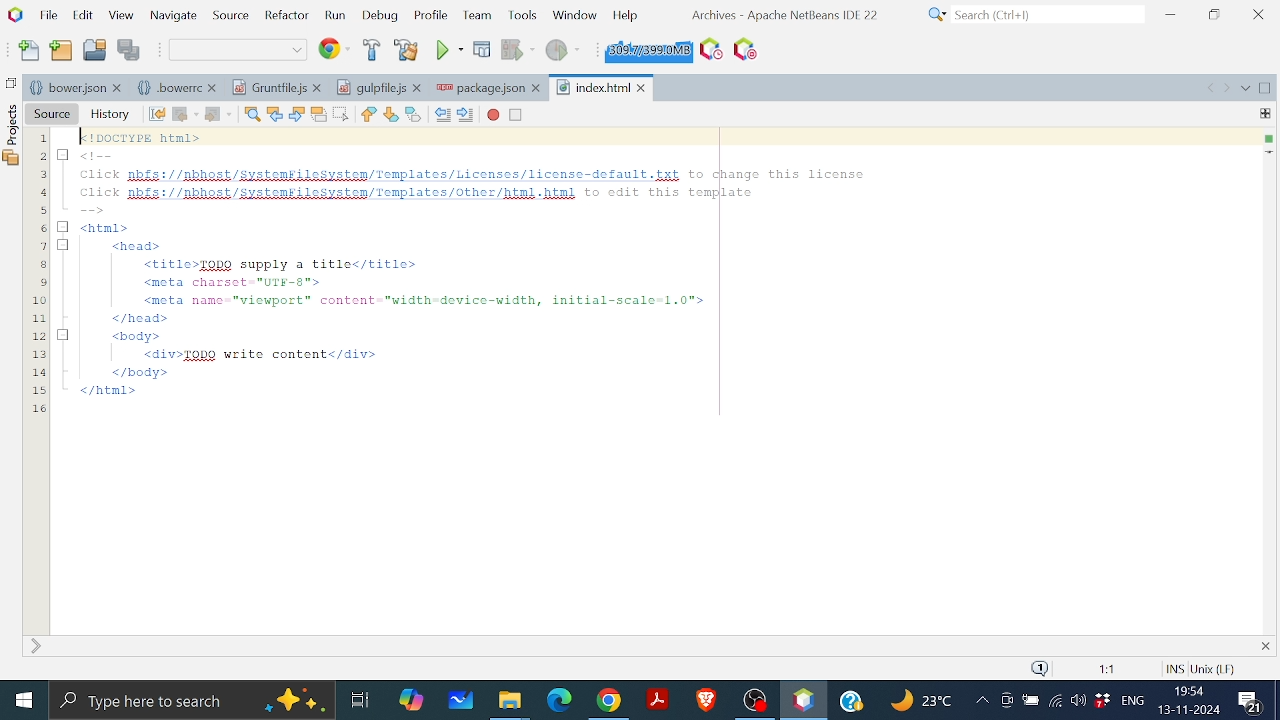  What do you see at coordinates (1258, 15) in the screenshot?
I see `Close` at bounding box center [1258, 15].